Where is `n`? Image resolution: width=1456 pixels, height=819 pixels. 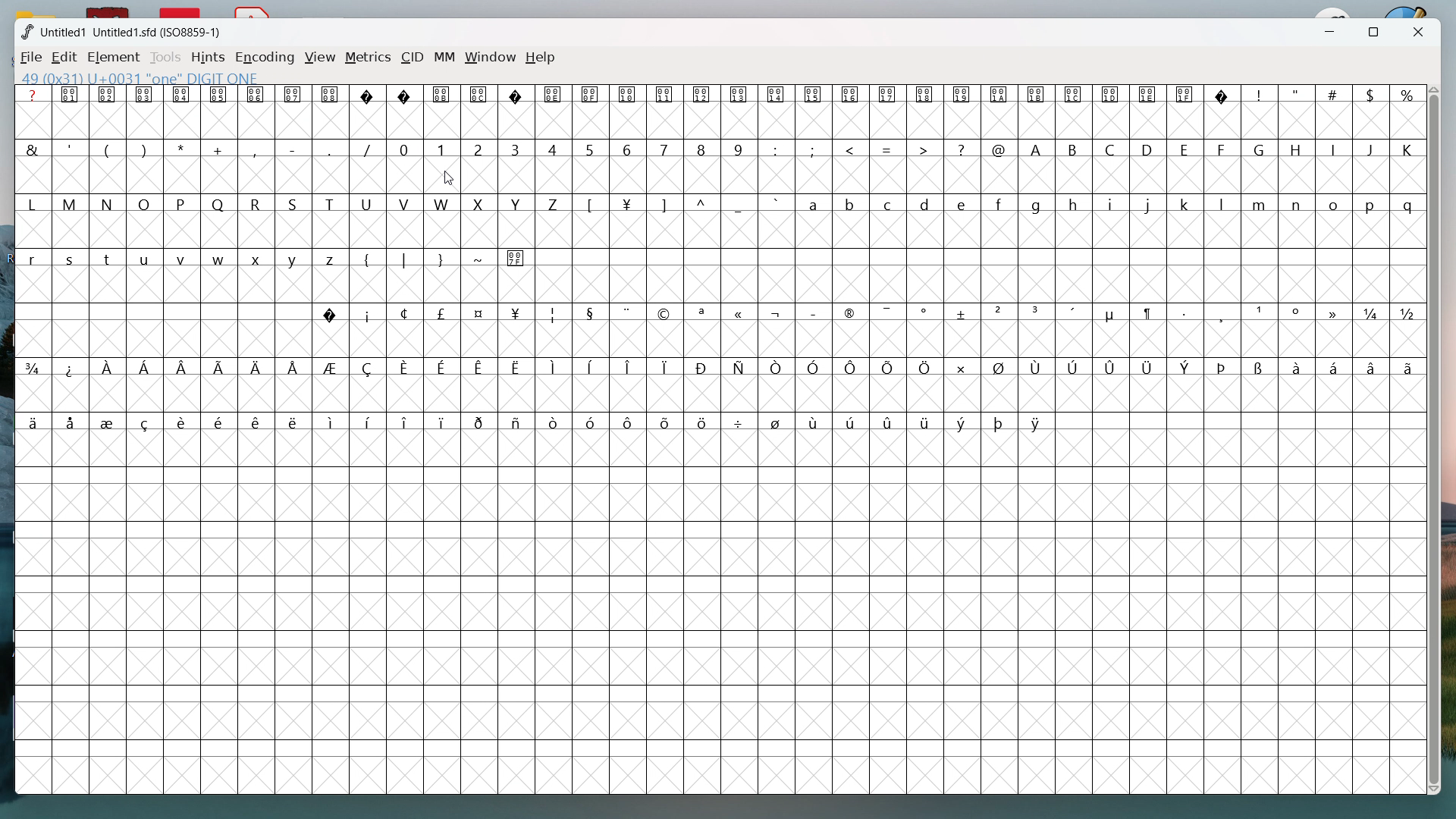
n is located at coordinates (1299, 205).